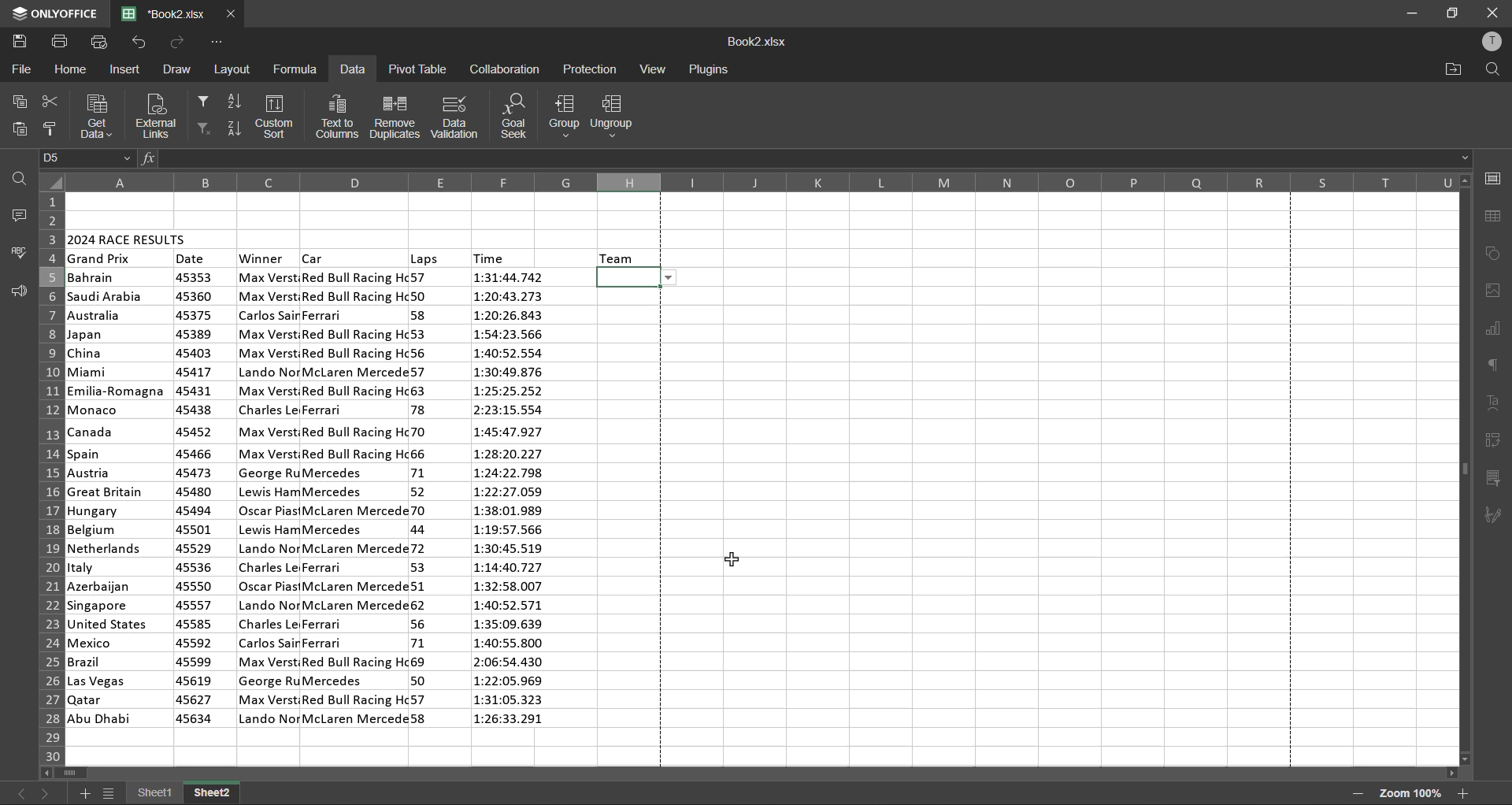  Describe the element at coordinates (352, 71) in the screenshot. I see `data` at that location.